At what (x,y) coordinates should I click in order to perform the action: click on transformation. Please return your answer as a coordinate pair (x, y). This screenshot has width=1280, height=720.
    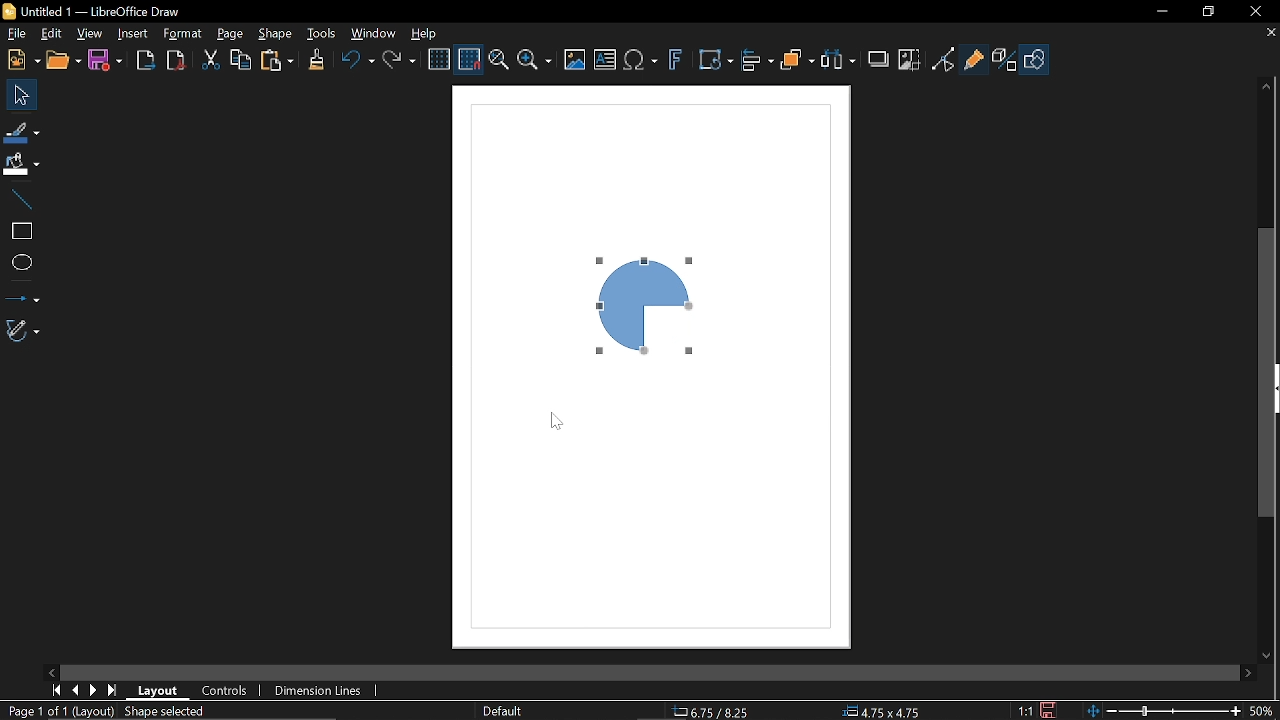
    Looking at the image, I should click on (715, 61).